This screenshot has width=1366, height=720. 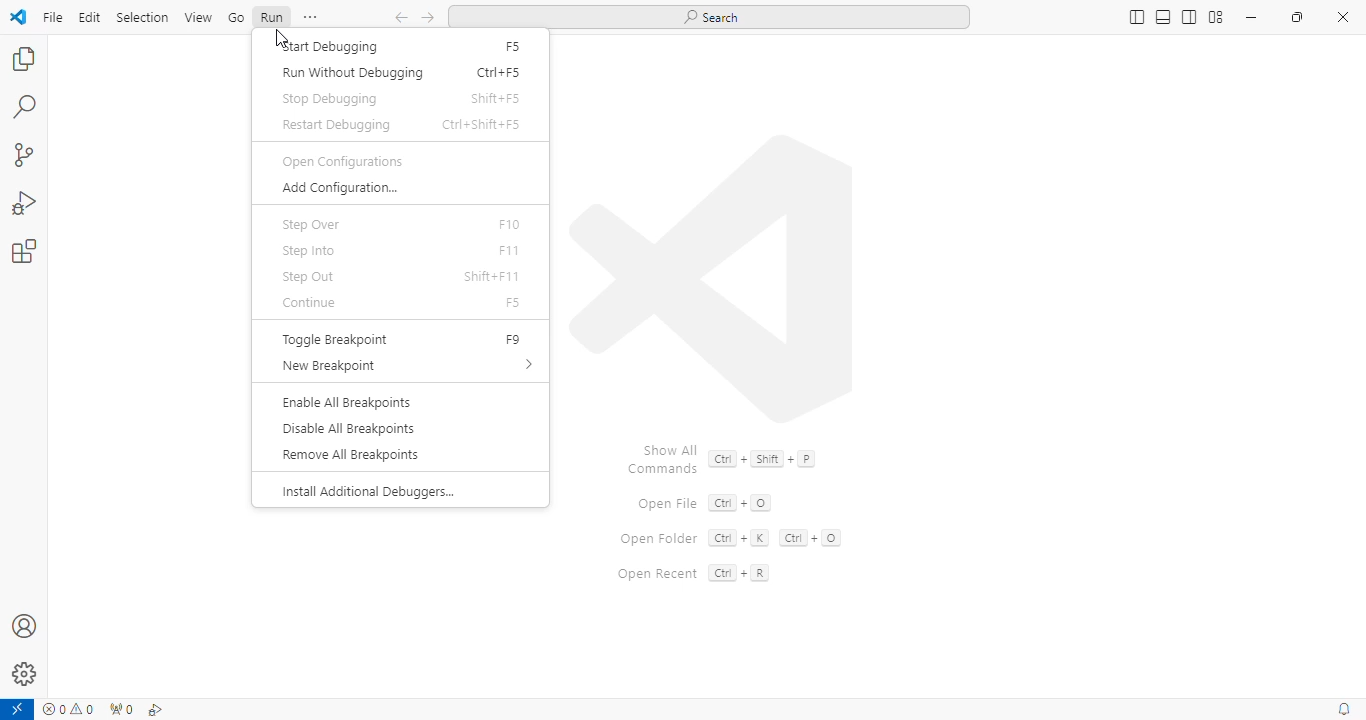 What do you see at coordinates (1251, 17) in the screenshot?
I see `minimize` at bounding box center [1251, 17].